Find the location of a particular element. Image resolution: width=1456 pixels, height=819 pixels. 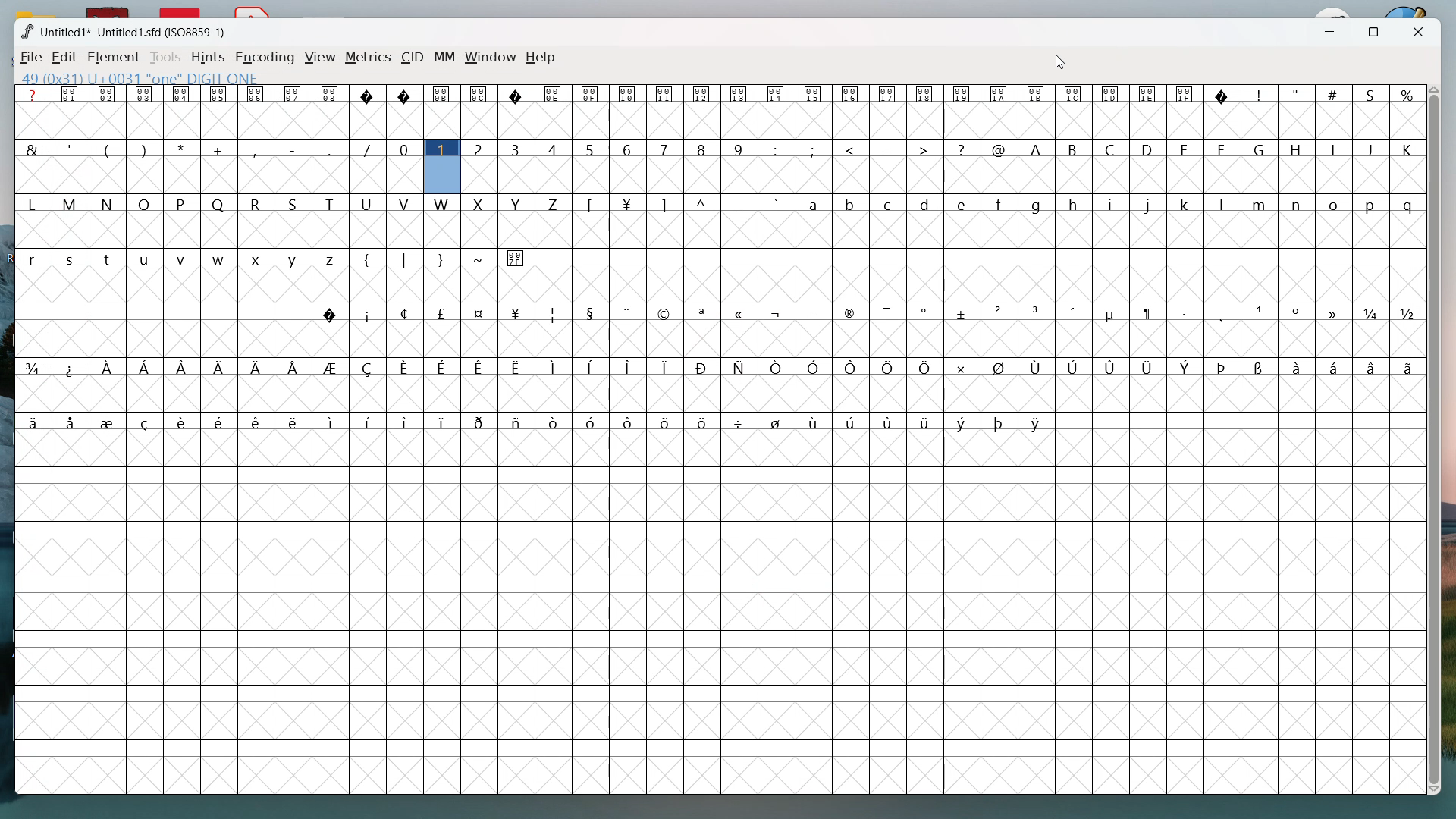

< is located at coordinates (854, 148).